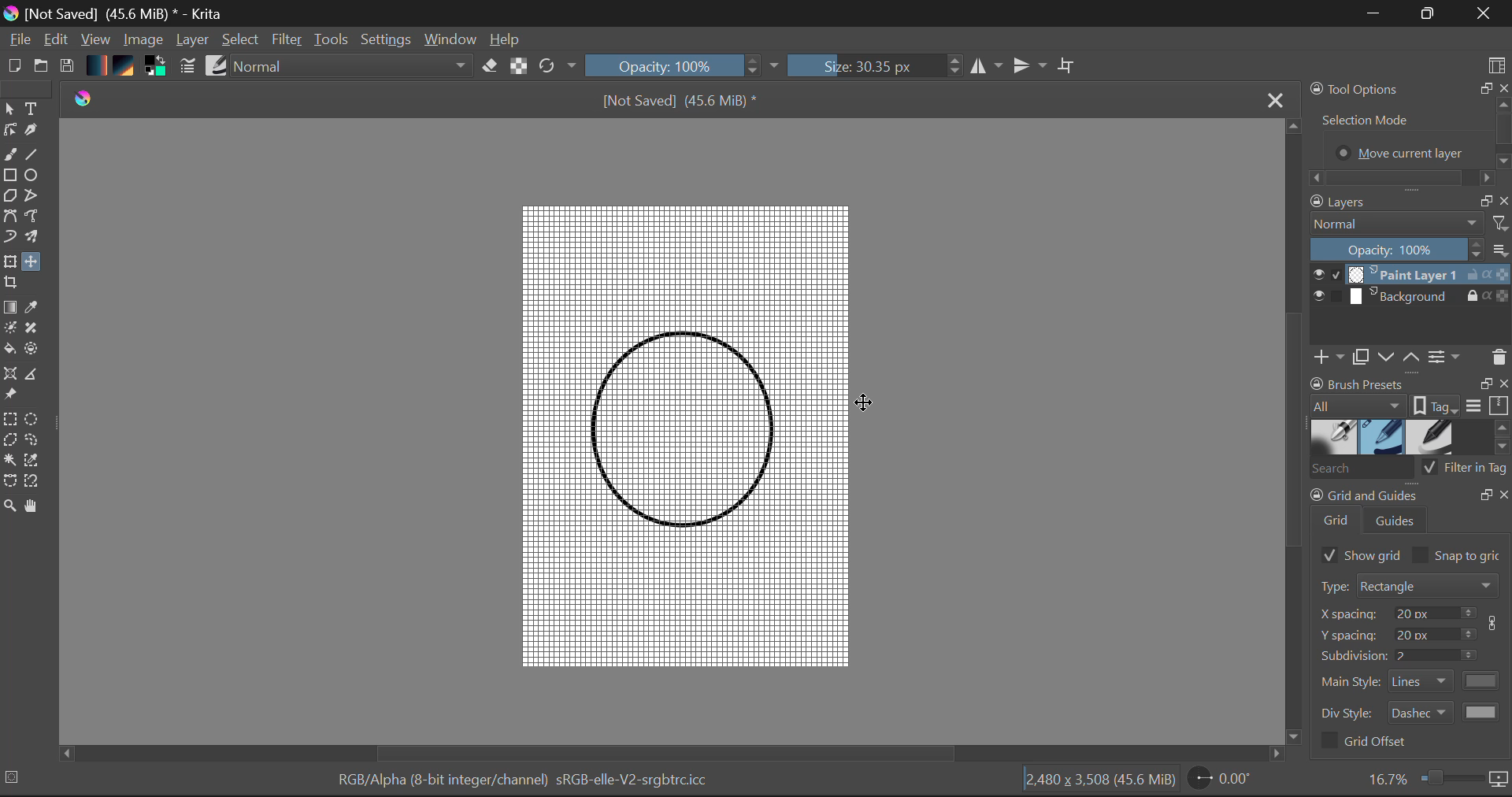  What do you see at coordinates (1101, 783) in the screenshot?
I see `Document Dimensions` at bounding box center [1101, 783].